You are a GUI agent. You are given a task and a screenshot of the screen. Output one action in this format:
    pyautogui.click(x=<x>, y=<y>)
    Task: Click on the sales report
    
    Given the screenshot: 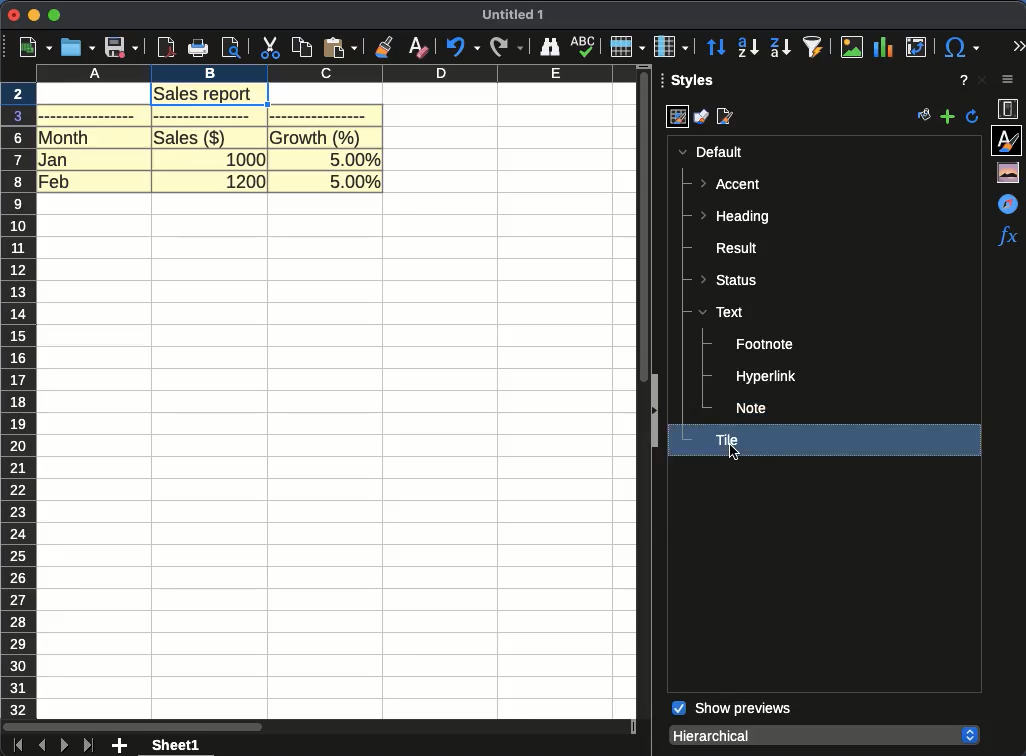 What is the action you would take?
    pyautogui.click(x=210, y=94)
    